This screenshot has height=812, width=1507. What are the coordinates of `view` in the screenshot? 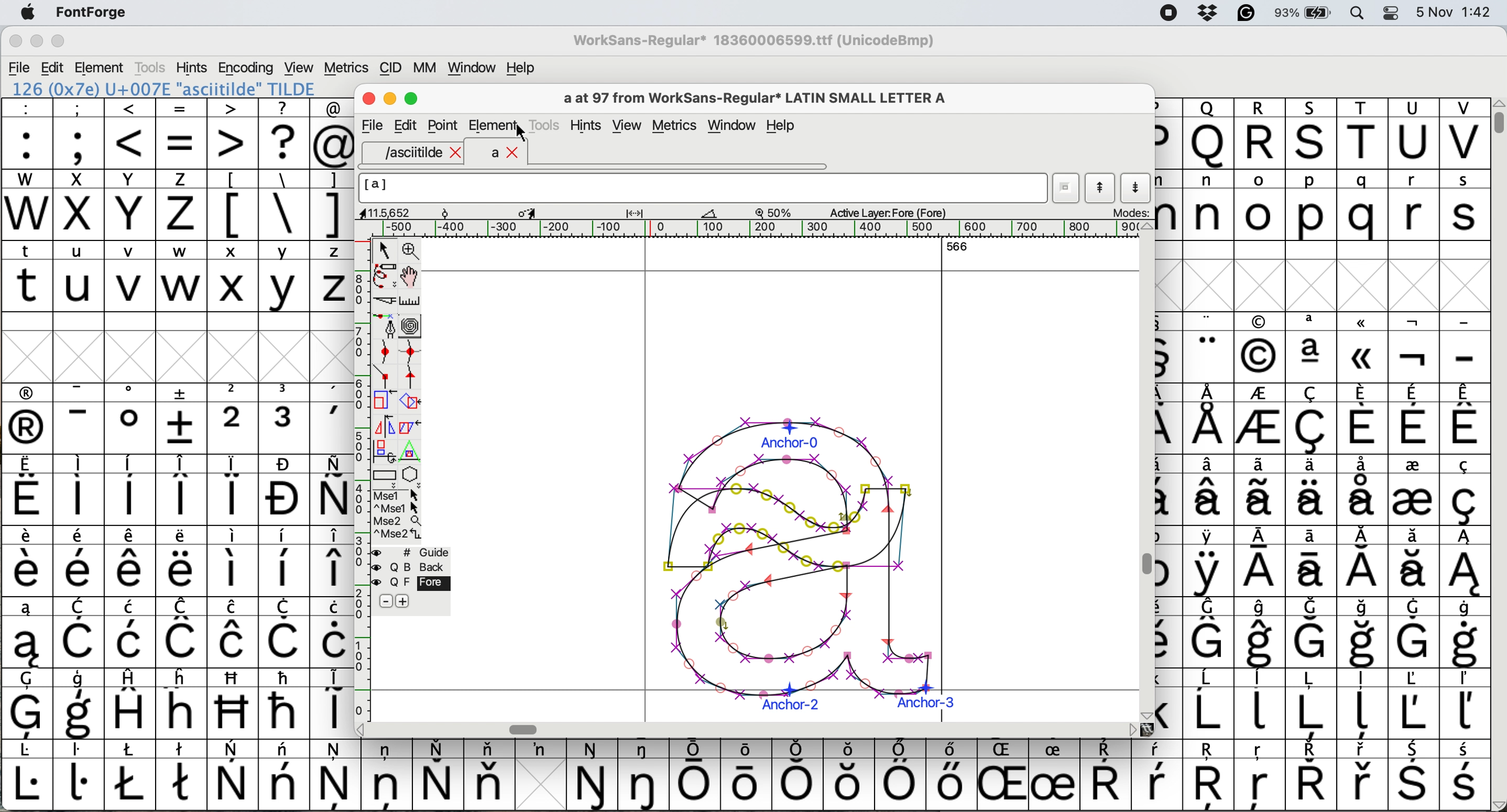 It's located at (626, 126).